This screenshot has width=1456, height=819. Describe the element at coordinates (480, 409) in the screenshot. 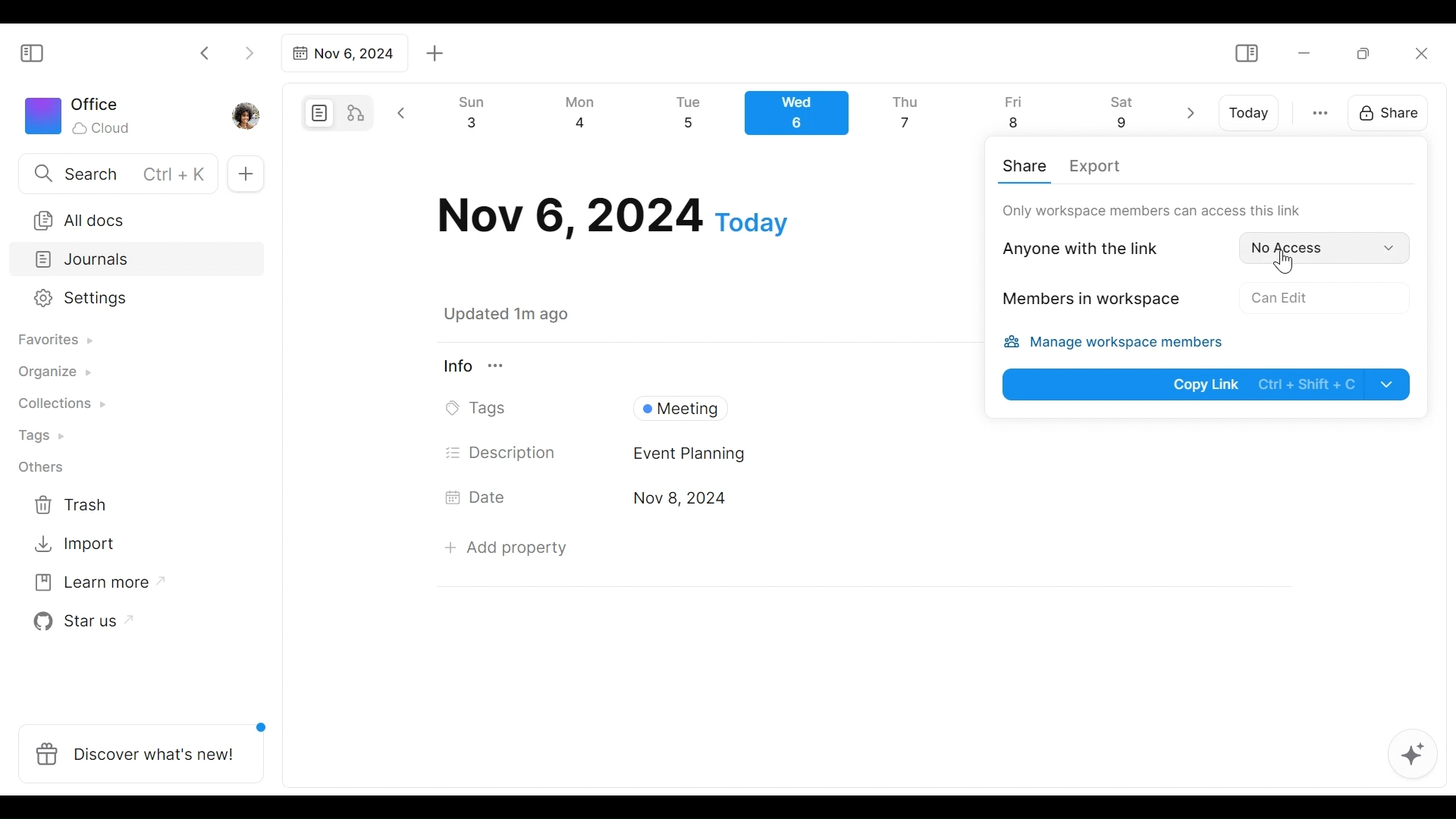

I see `Tags` at that location.